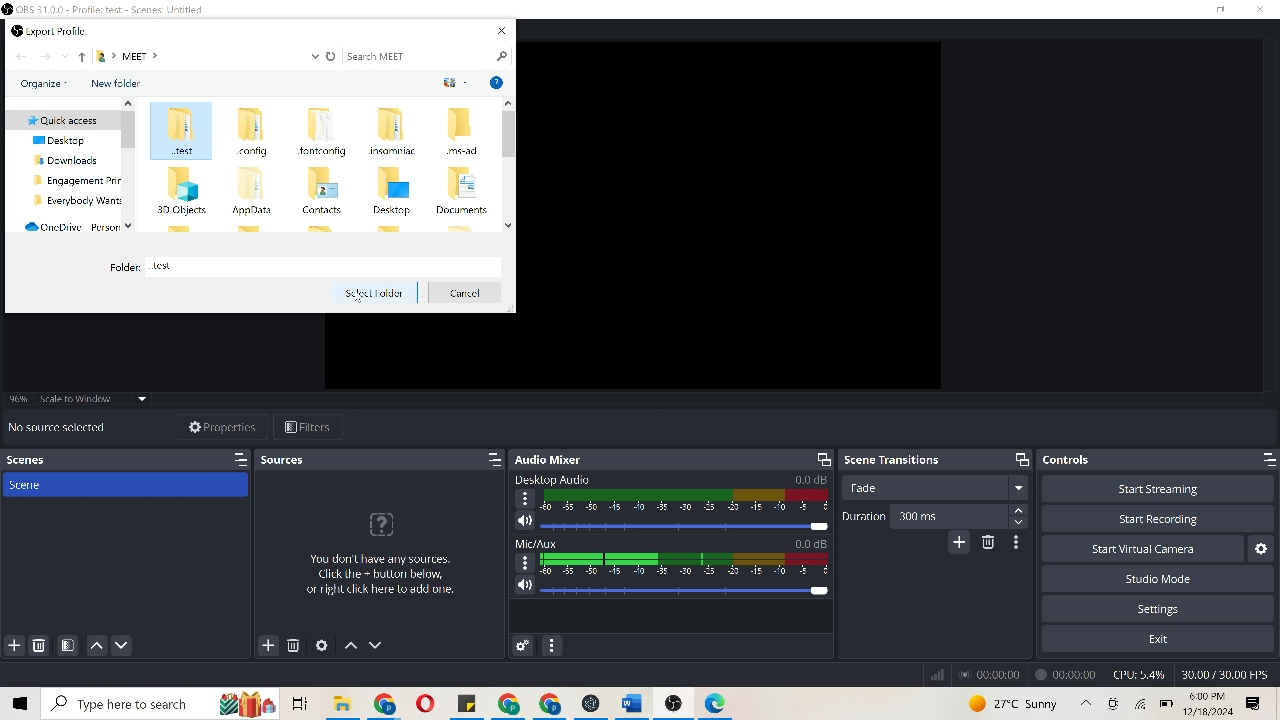 The image size is (1280, 720). Describe the element at coordinates (992, 545) in the screenshot. I see `remove` at that location.